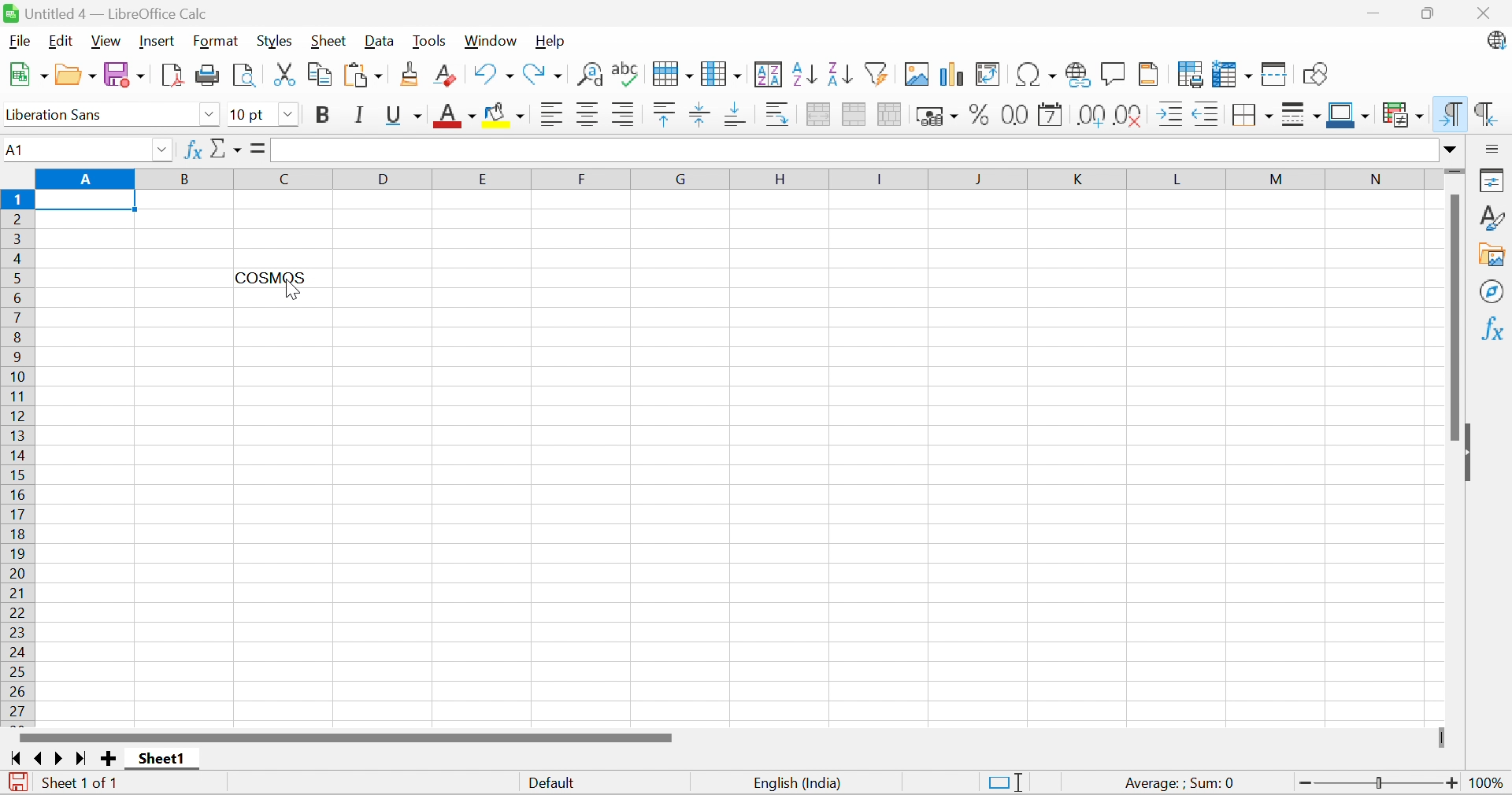 This screenshot has width=1512, height=795. What do you see at coordinates (917, 74) in the screenshot?
I see `Insert Image` at bounding box center [917, 74].